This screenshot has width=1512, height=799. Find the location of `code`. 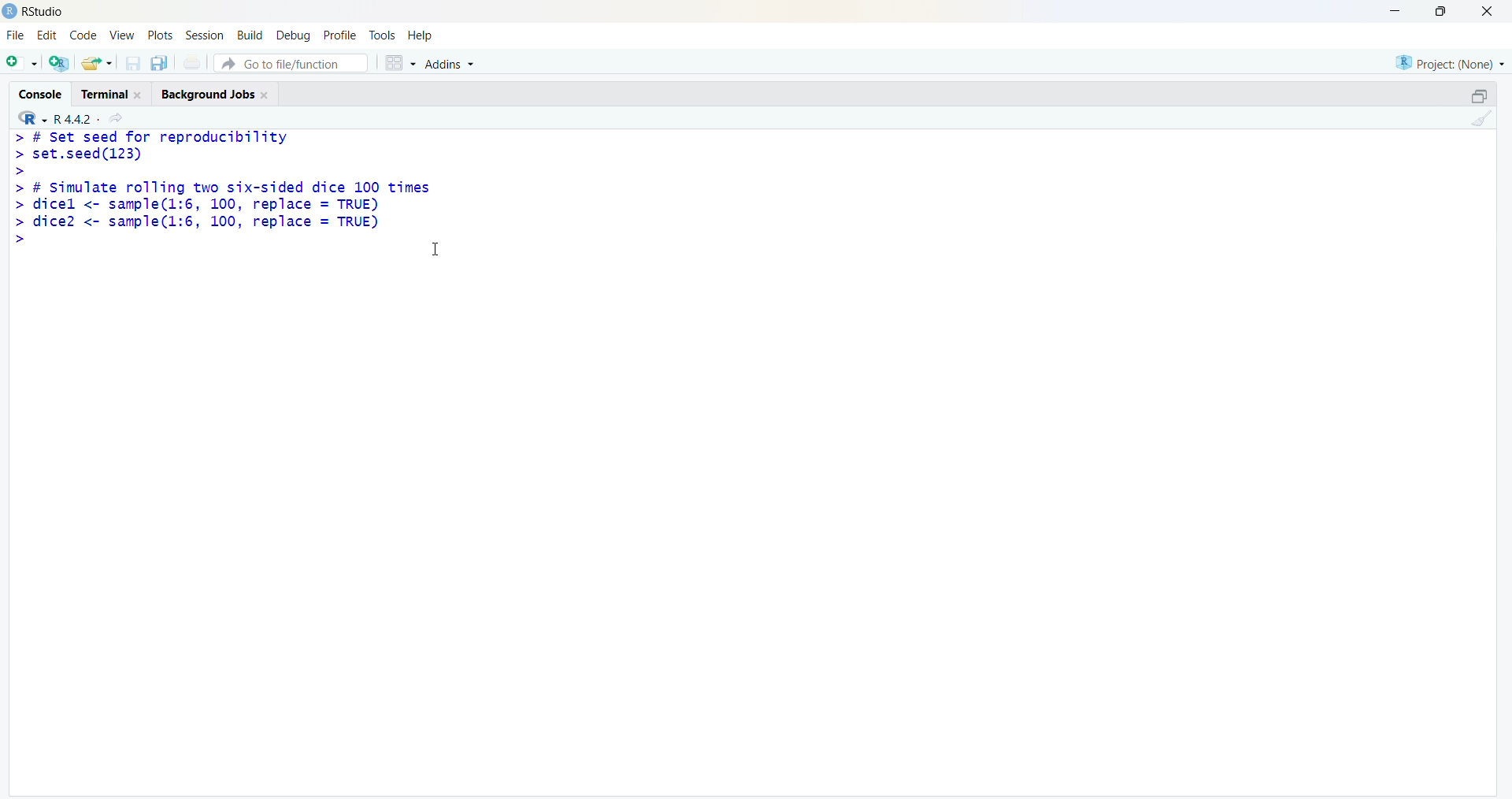

code is located at coordinates (83, 35).